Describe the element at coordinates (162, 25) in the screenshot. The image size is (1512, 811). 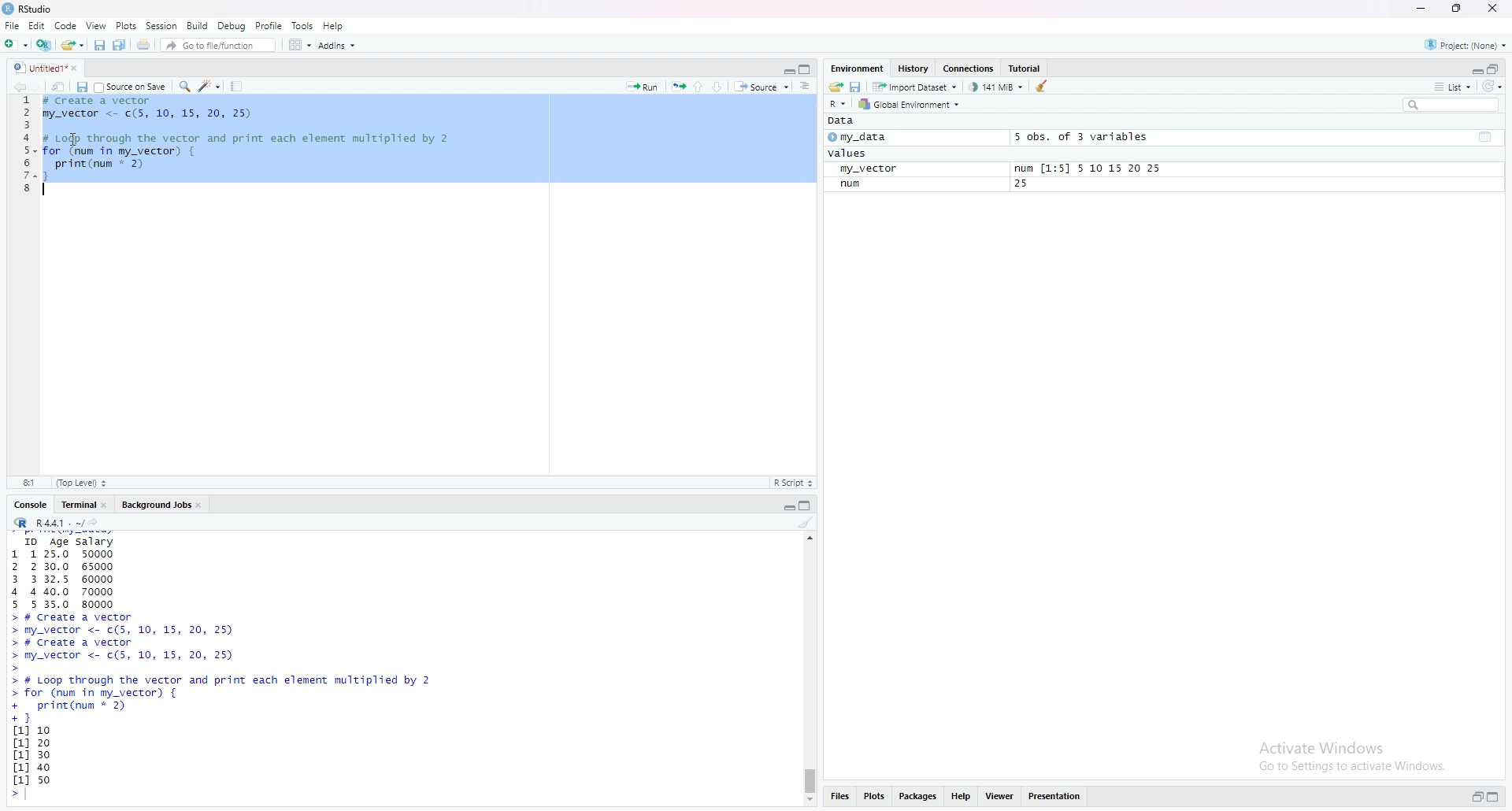
I see `session` at that location.